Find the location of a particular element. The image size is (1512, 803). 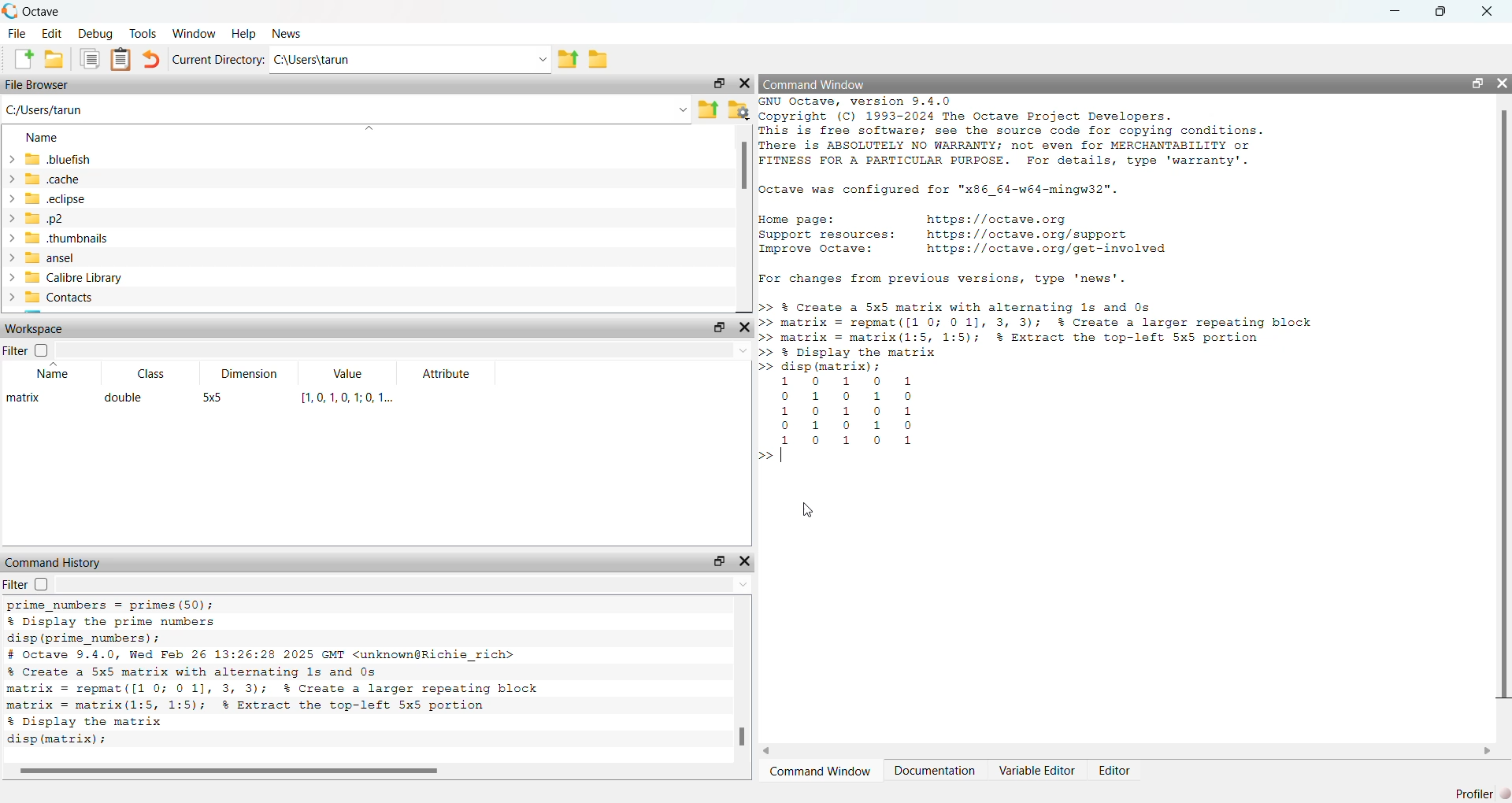

File Browser is located at coordinates (37, 85).